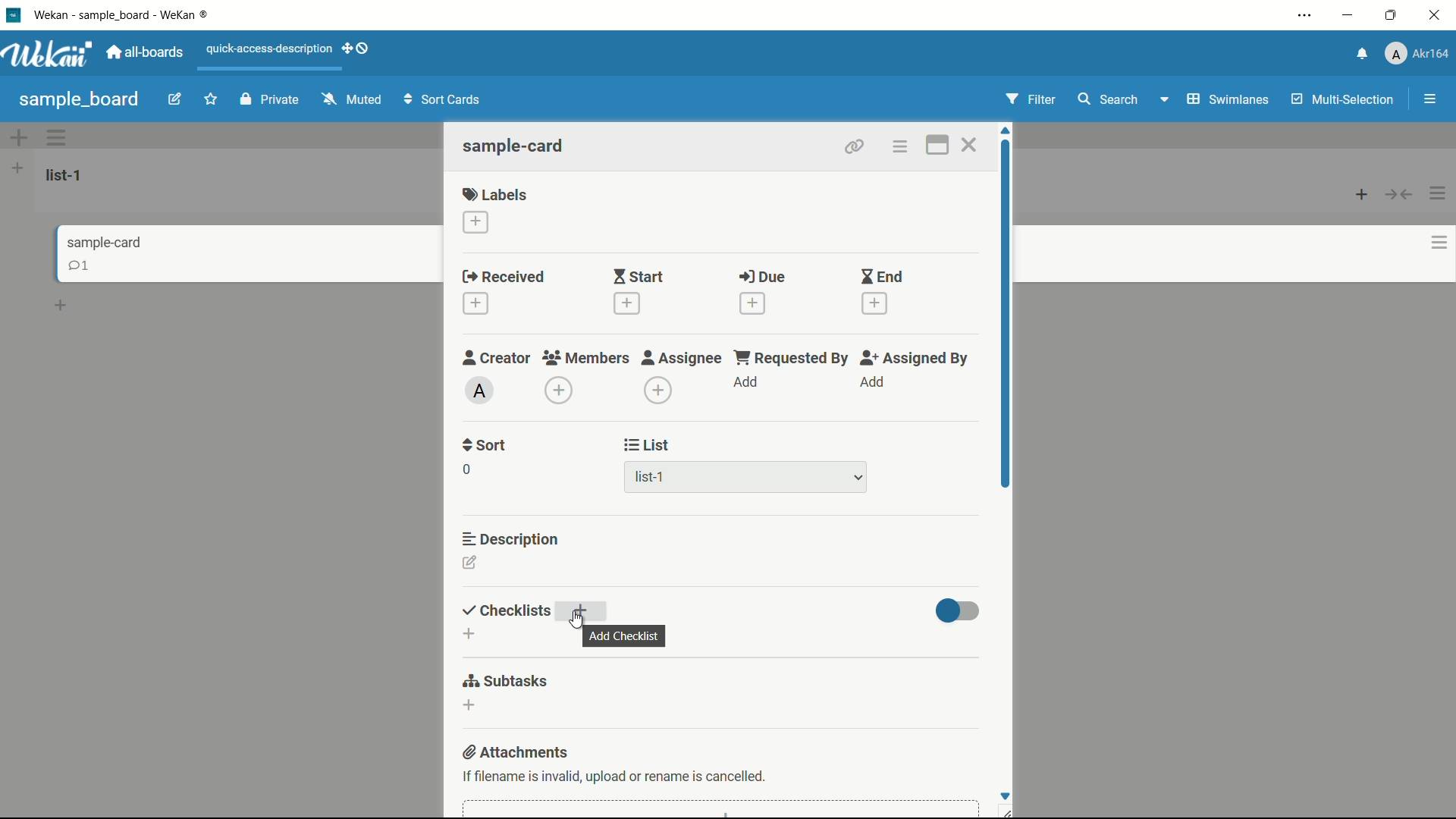 This screenshot has height=819, width=1456. What do you see at coordinates (1403, 193) in the screenshot?
I see `button` at bounding box center [1403, 193].